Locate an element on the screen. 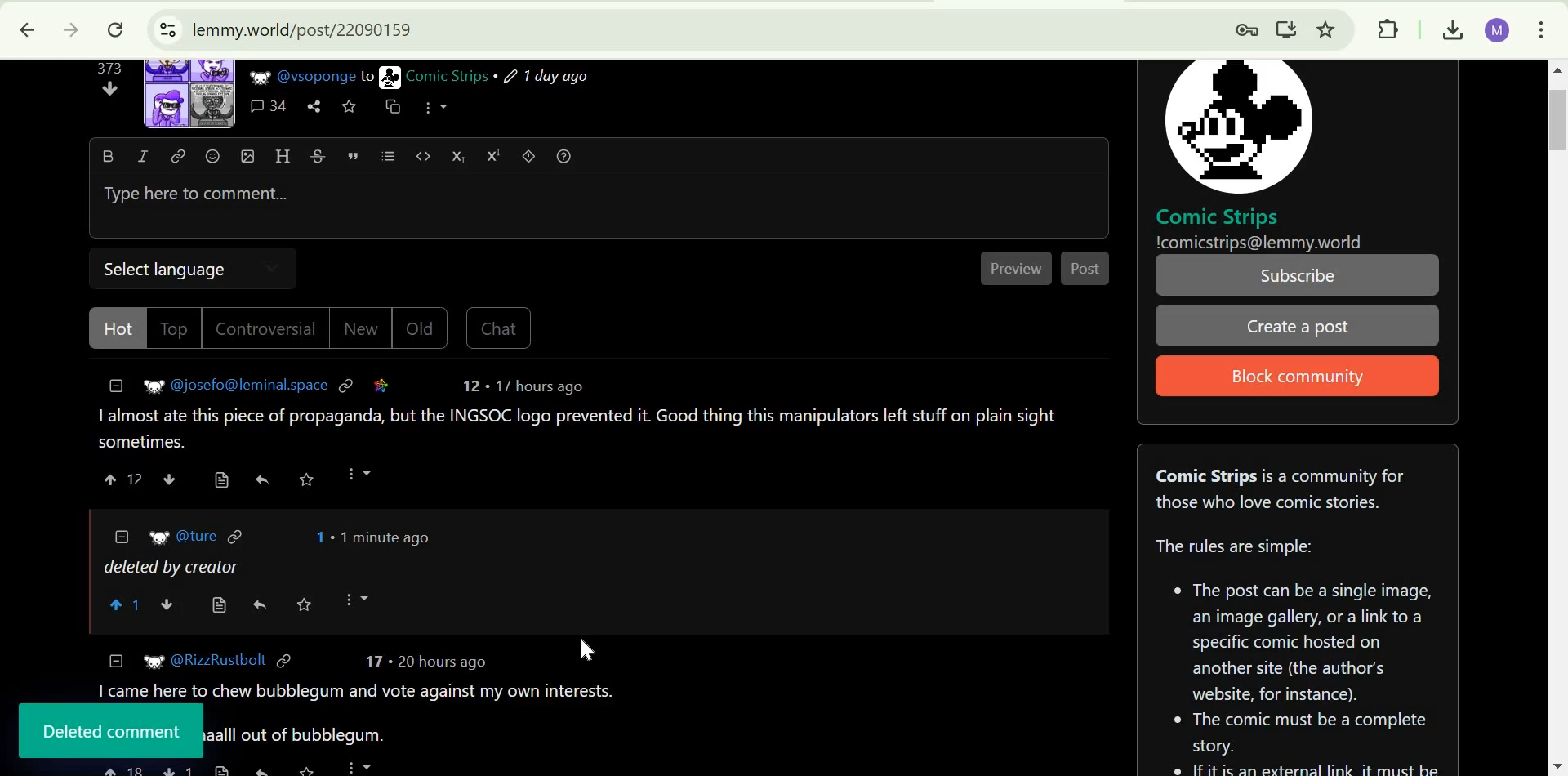  more is located at coordinates (360, 766).